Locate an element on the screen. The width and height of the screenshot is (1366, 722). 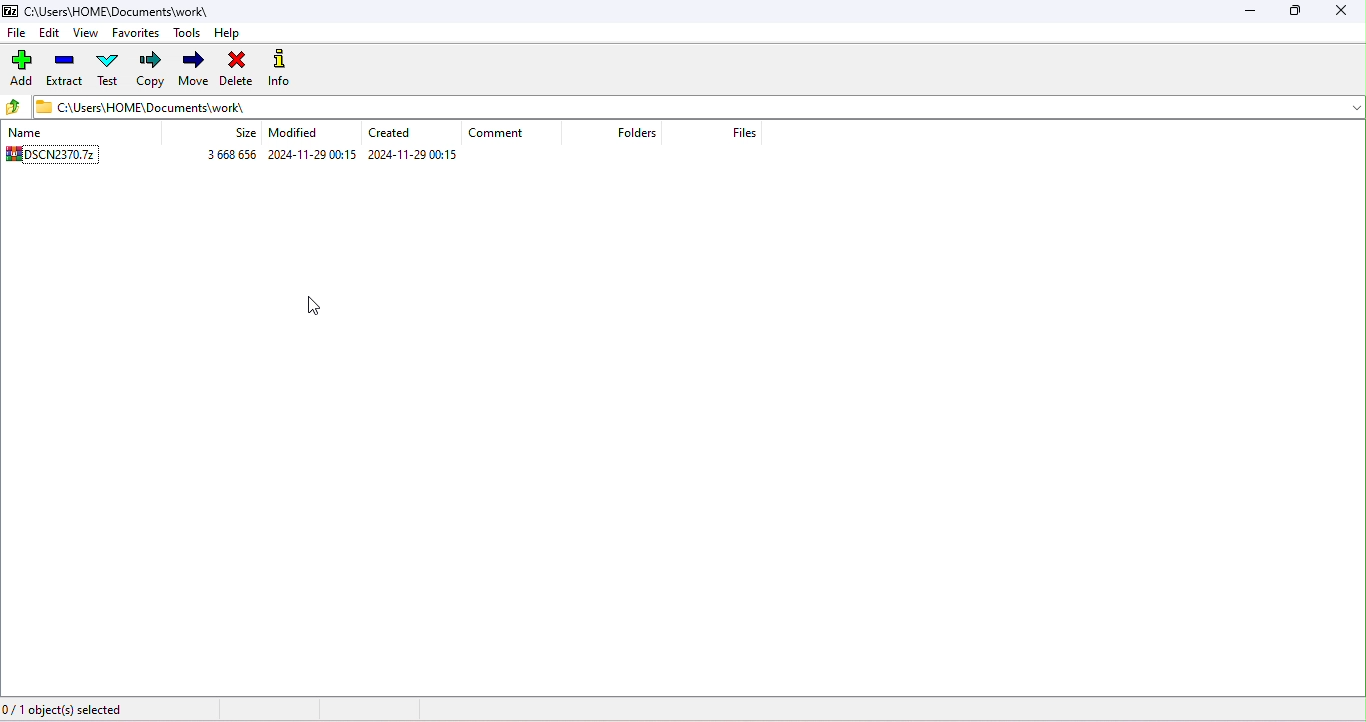
creation date is located at coordinates (394, 134).